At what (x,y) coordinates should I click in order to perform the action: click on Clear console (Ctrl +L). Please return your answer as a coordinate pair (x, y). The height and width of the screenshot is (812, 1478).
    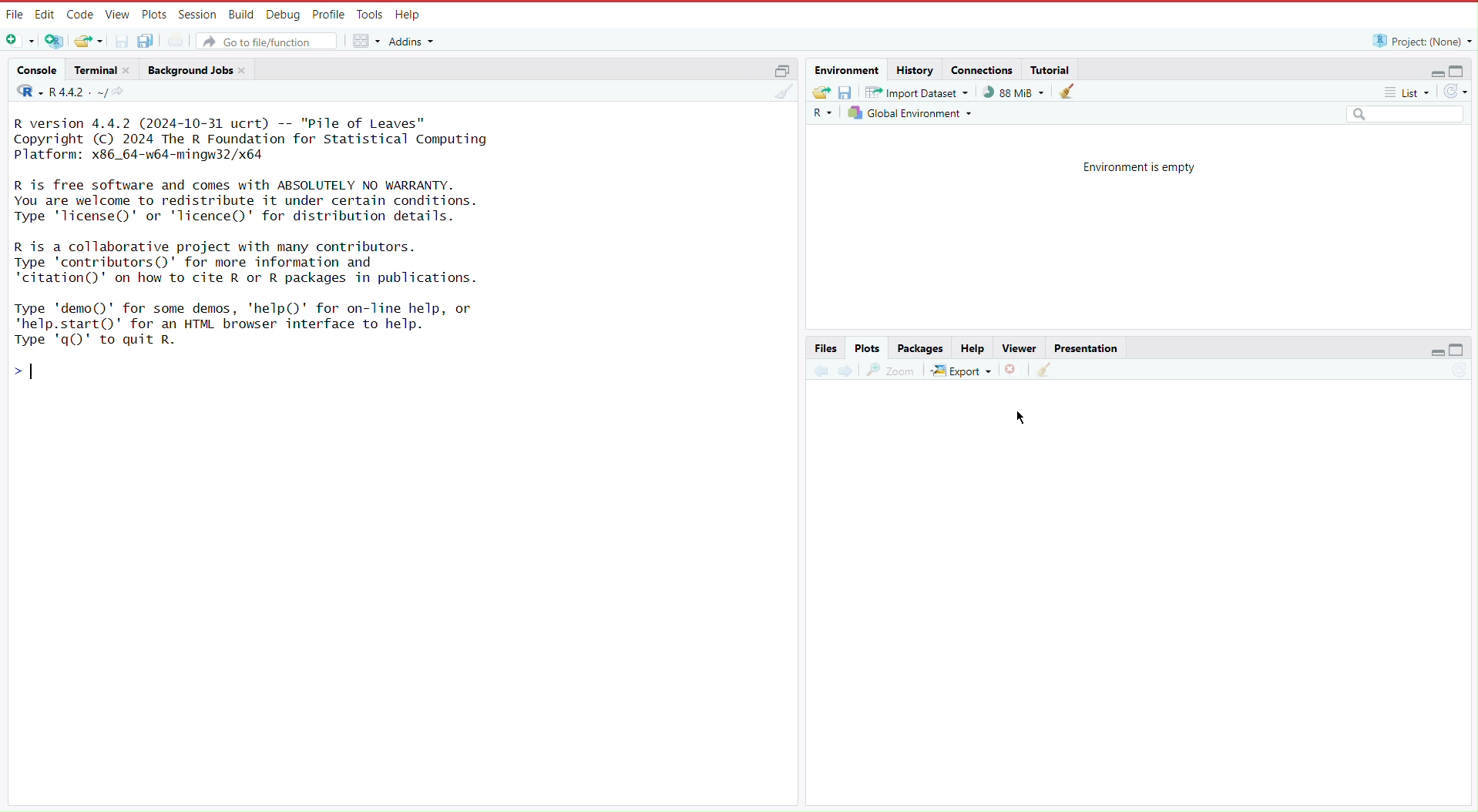
    Looking at the image, I should click on (1071, 92).